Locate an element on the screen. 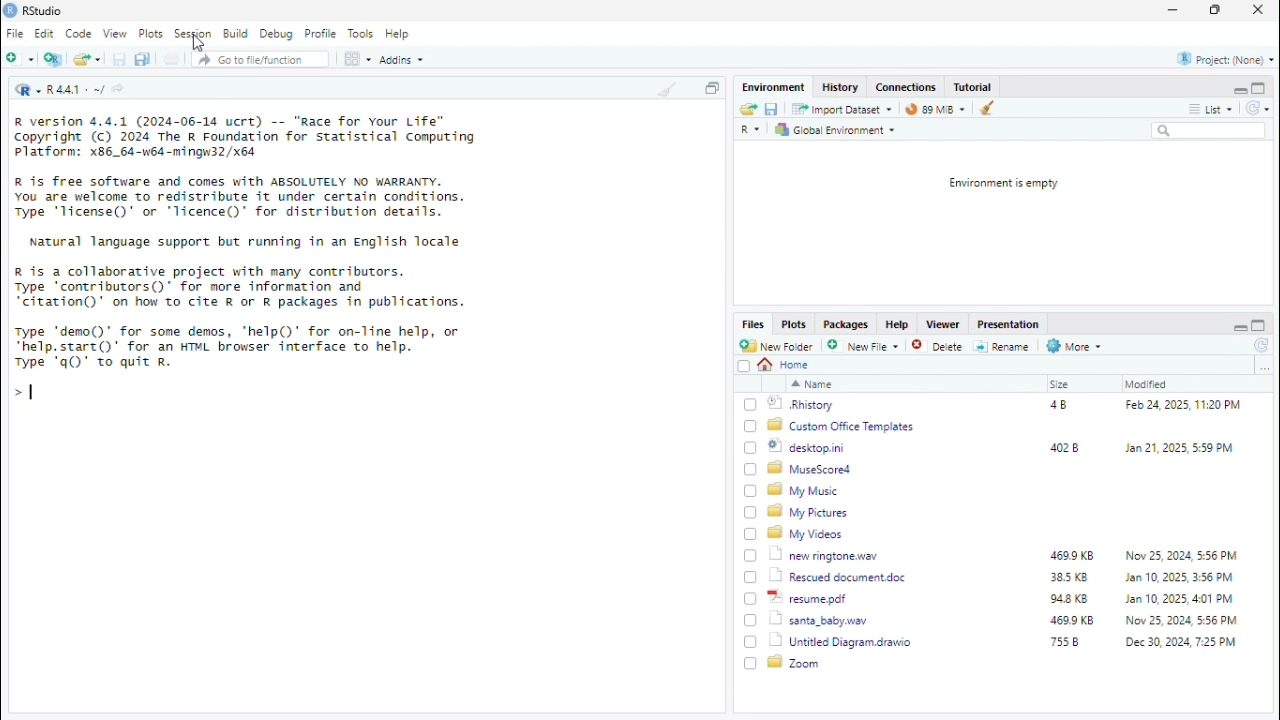 The height and width of the screenshot is (720, 1280). View is located at coordinates (115, 34).